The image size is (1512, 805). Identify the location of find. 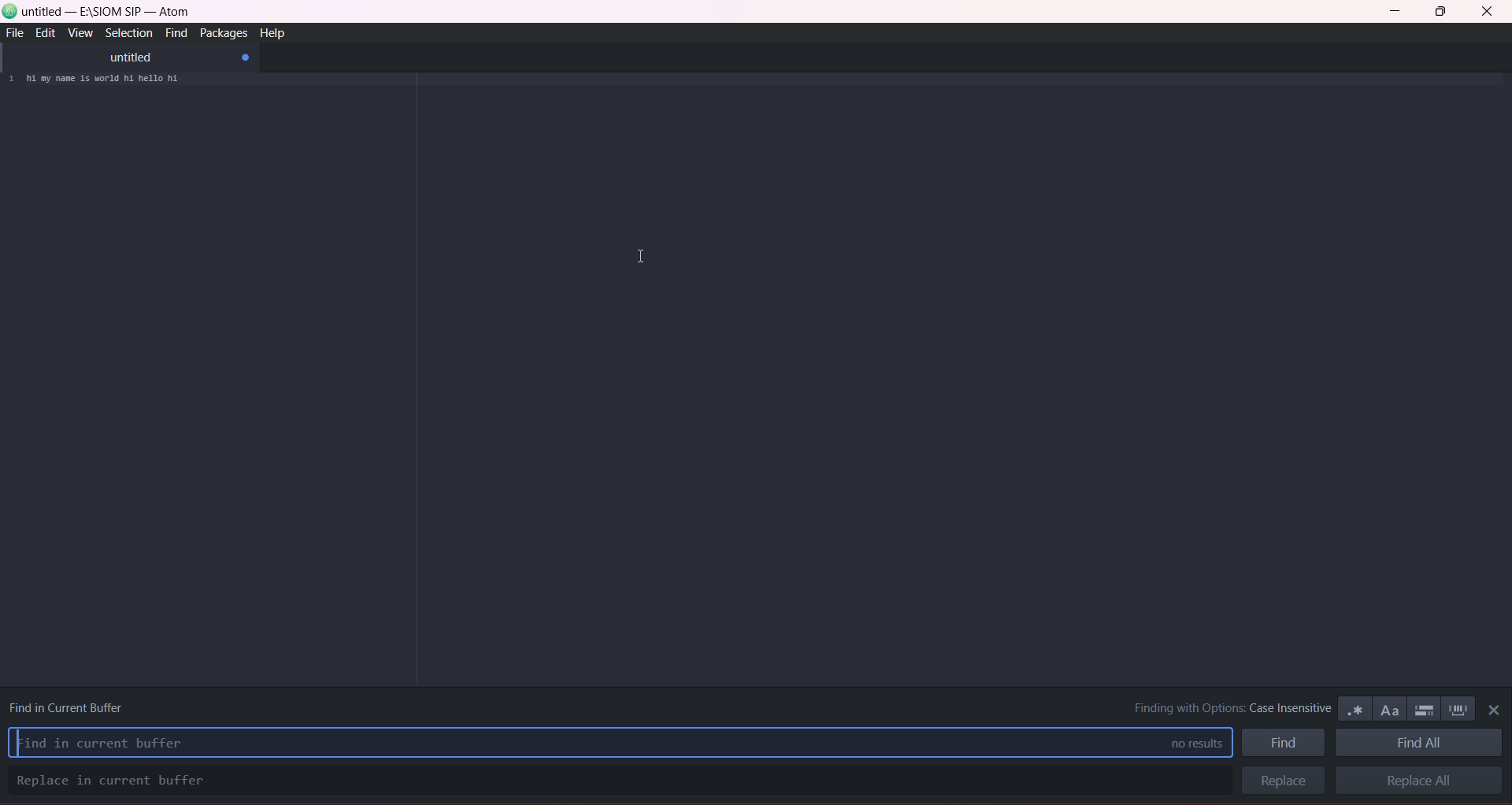
(1284, 742).